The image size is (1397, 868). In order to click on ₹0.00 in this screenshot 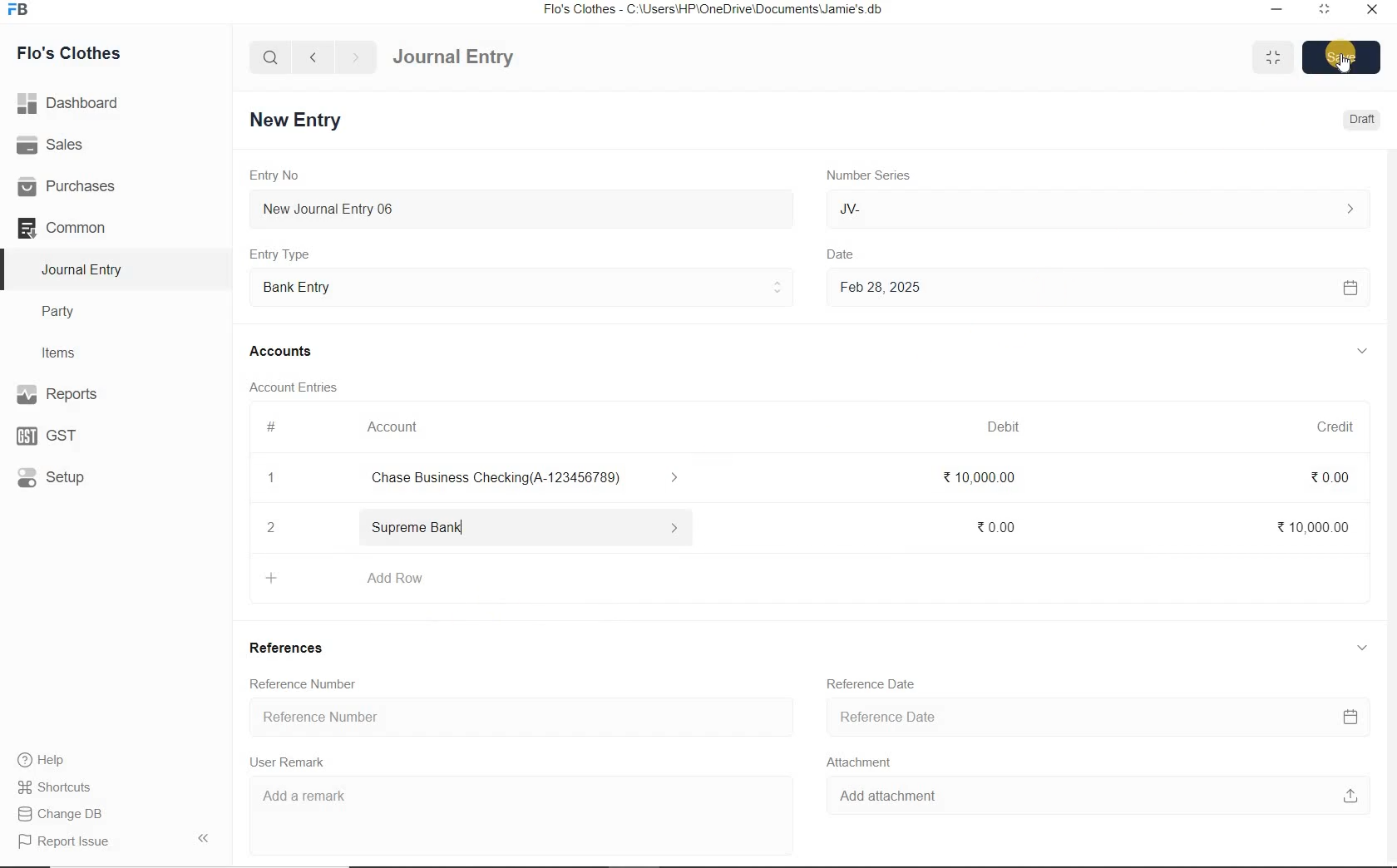, I will do `click(997, 525)`.